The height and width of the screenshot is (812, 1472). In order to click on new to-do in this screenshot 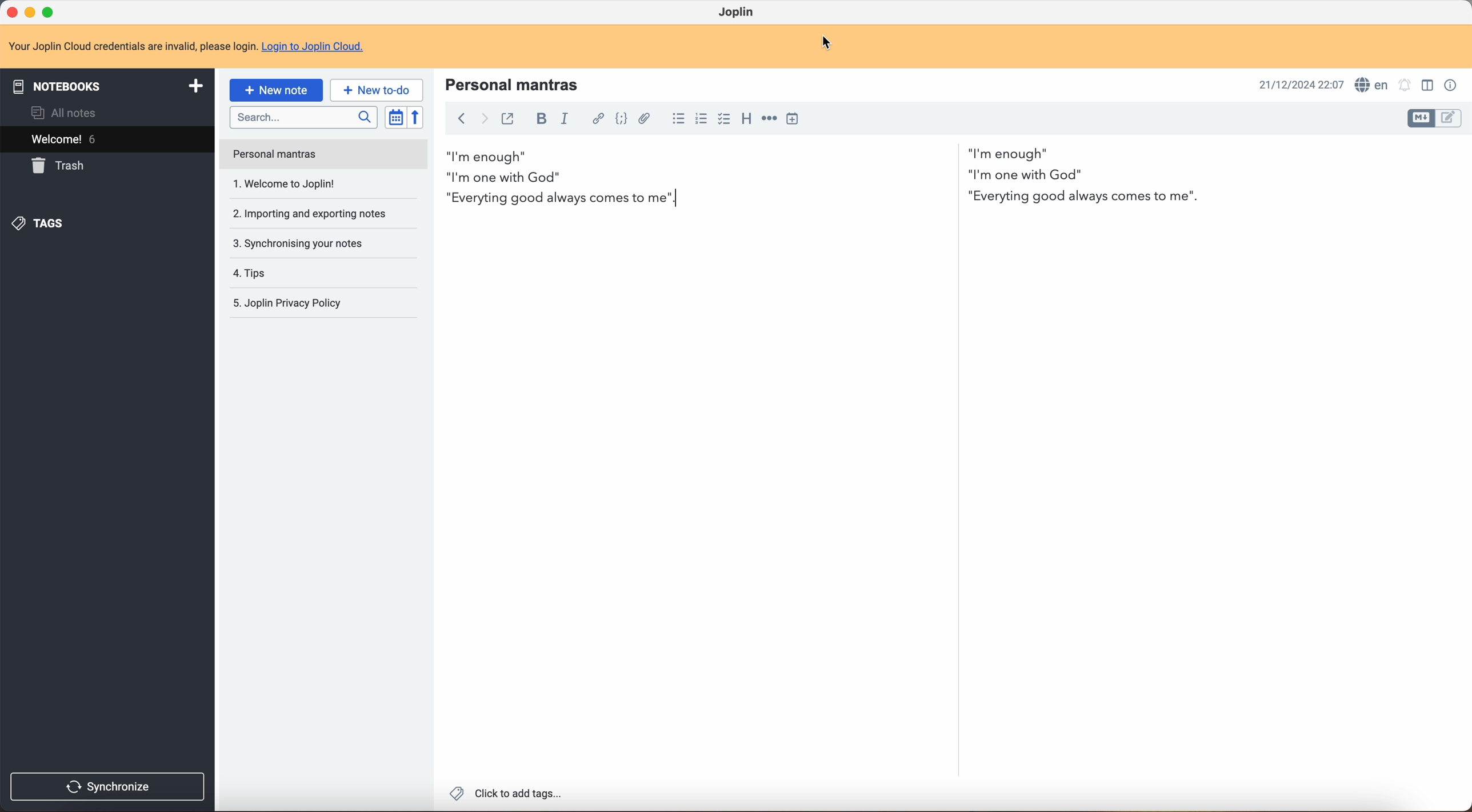, I will do `click(376, 89)`.